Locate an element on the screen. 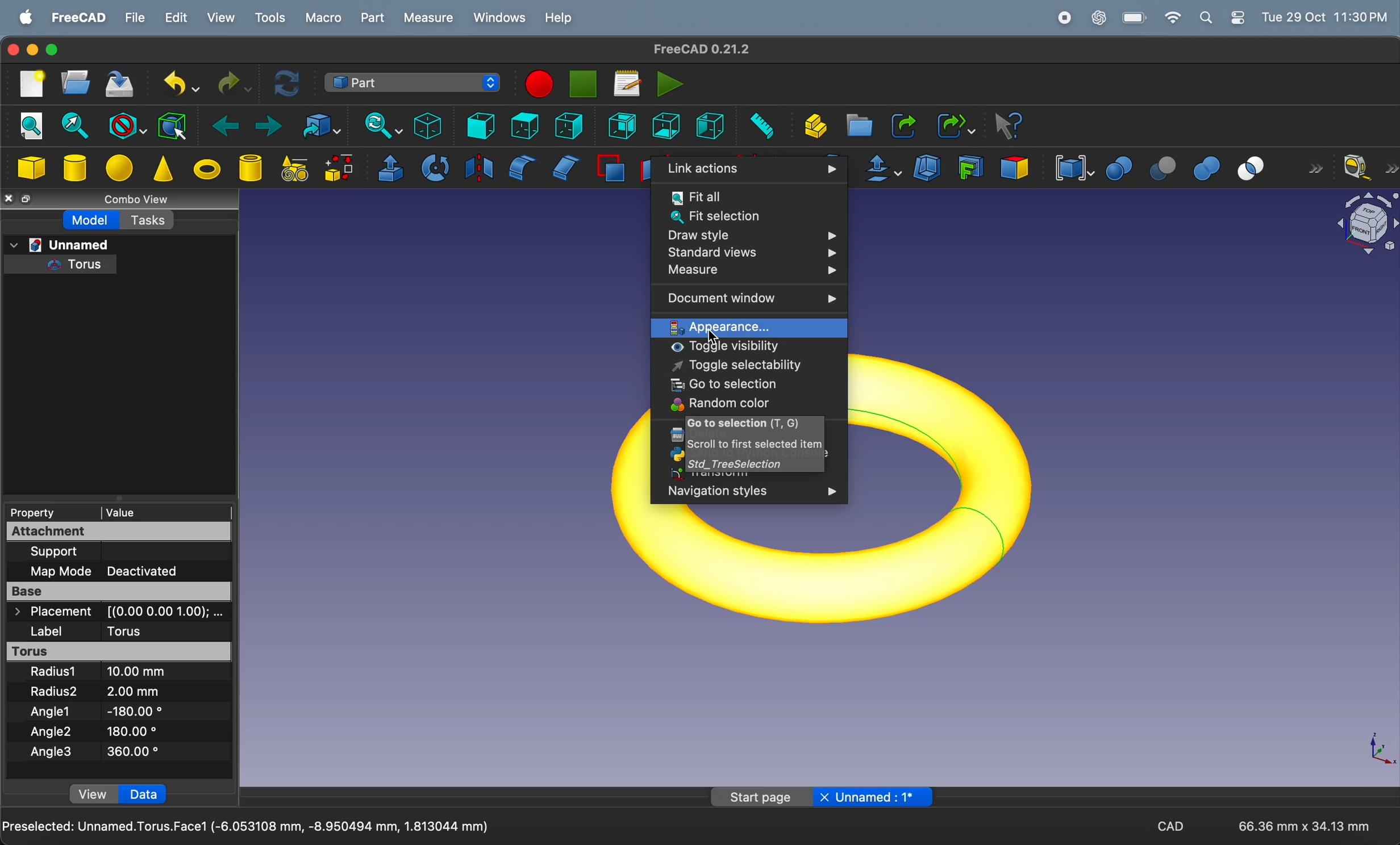  Start page is located at coordinates (756, 797).